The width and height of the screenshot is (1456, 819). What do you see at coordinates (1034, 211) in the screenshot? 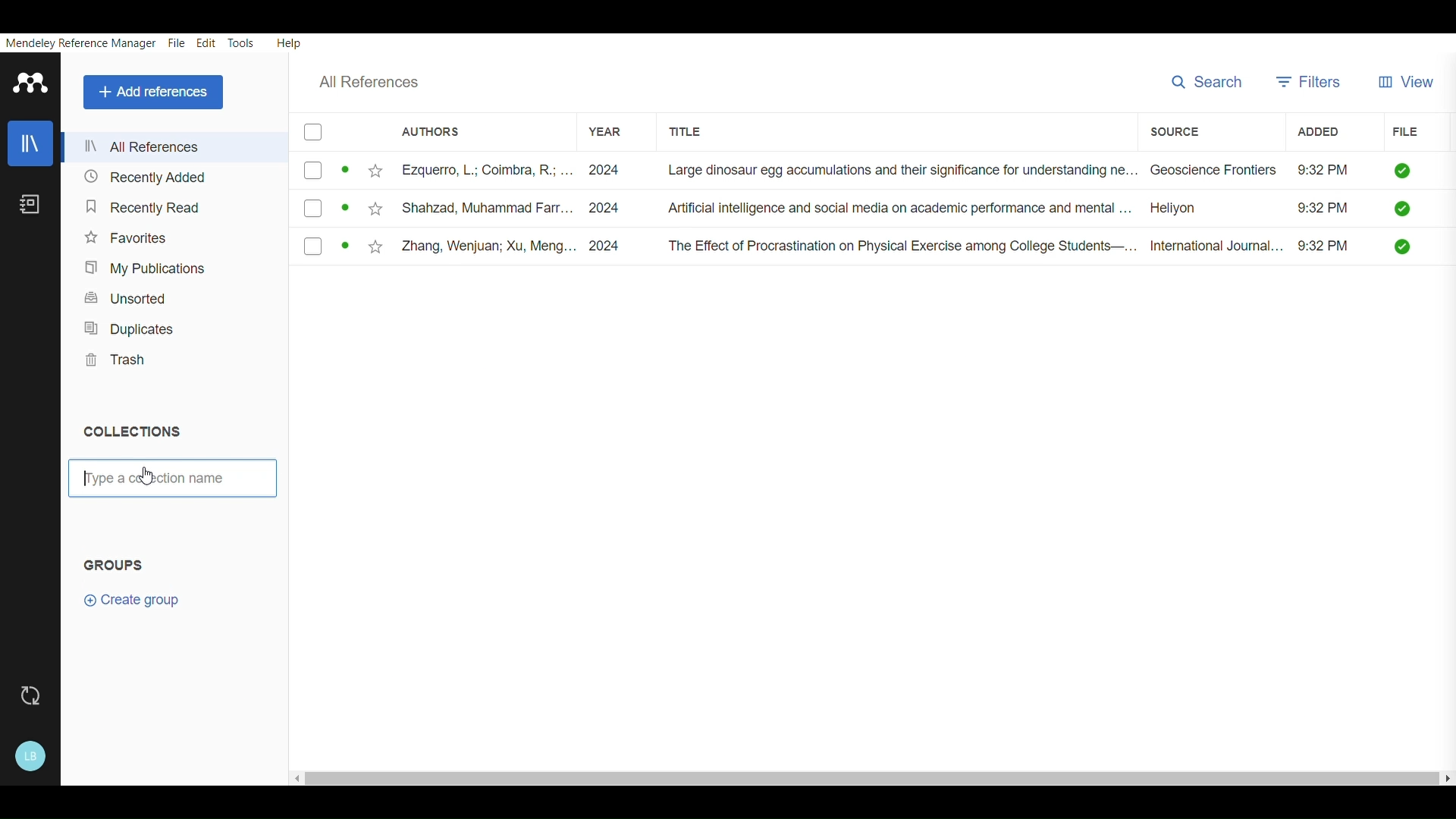
I see `Artificial intelligence and social media on academic performance and mental ...  Heliyon 9:32 PM Q` at bounding box center [1034, 211].